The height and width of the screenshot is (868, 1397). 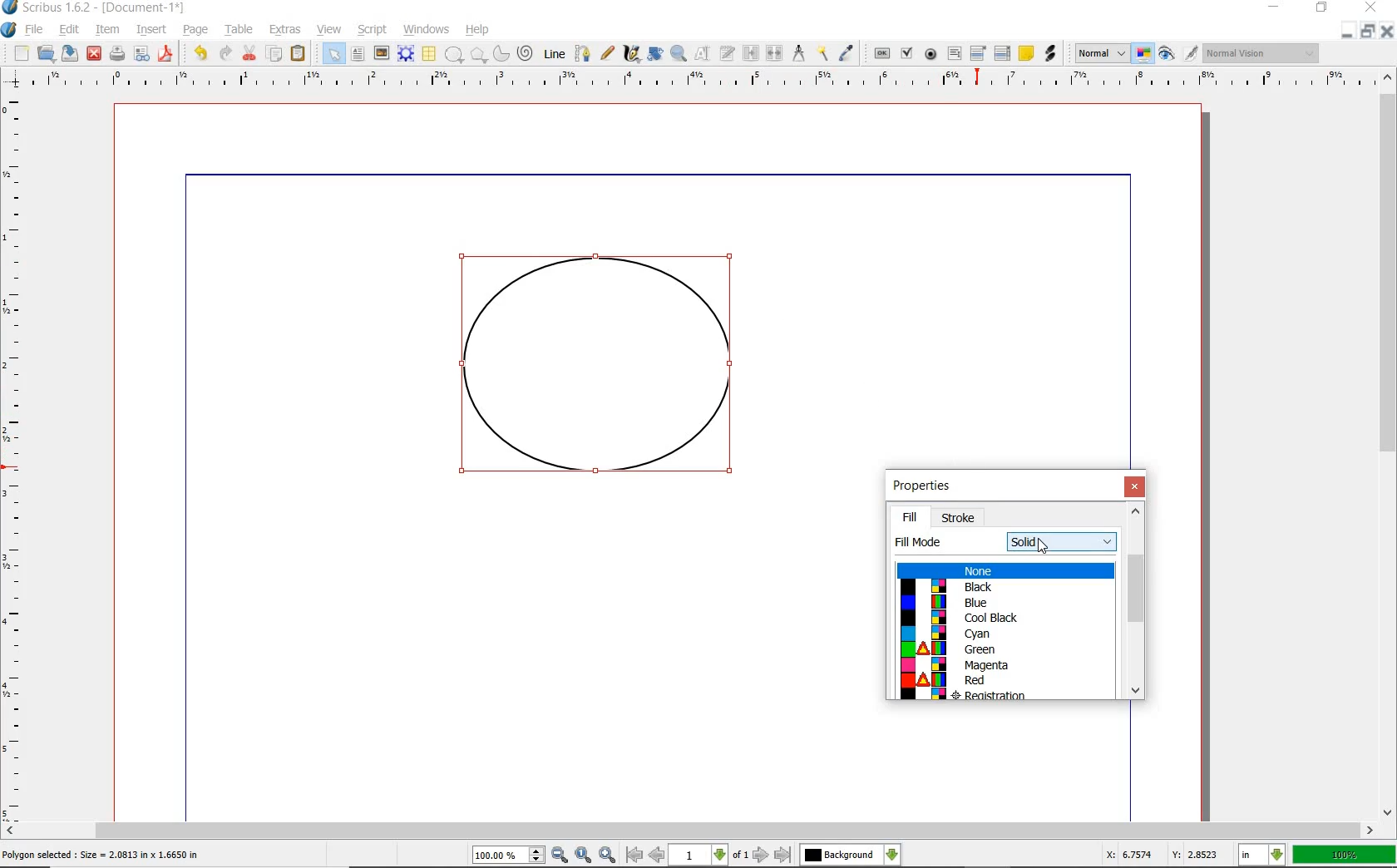 What do you see at coordinates (710, 855) in the screenshot?
I see `1 of 1` at bounding box center [710, 855].